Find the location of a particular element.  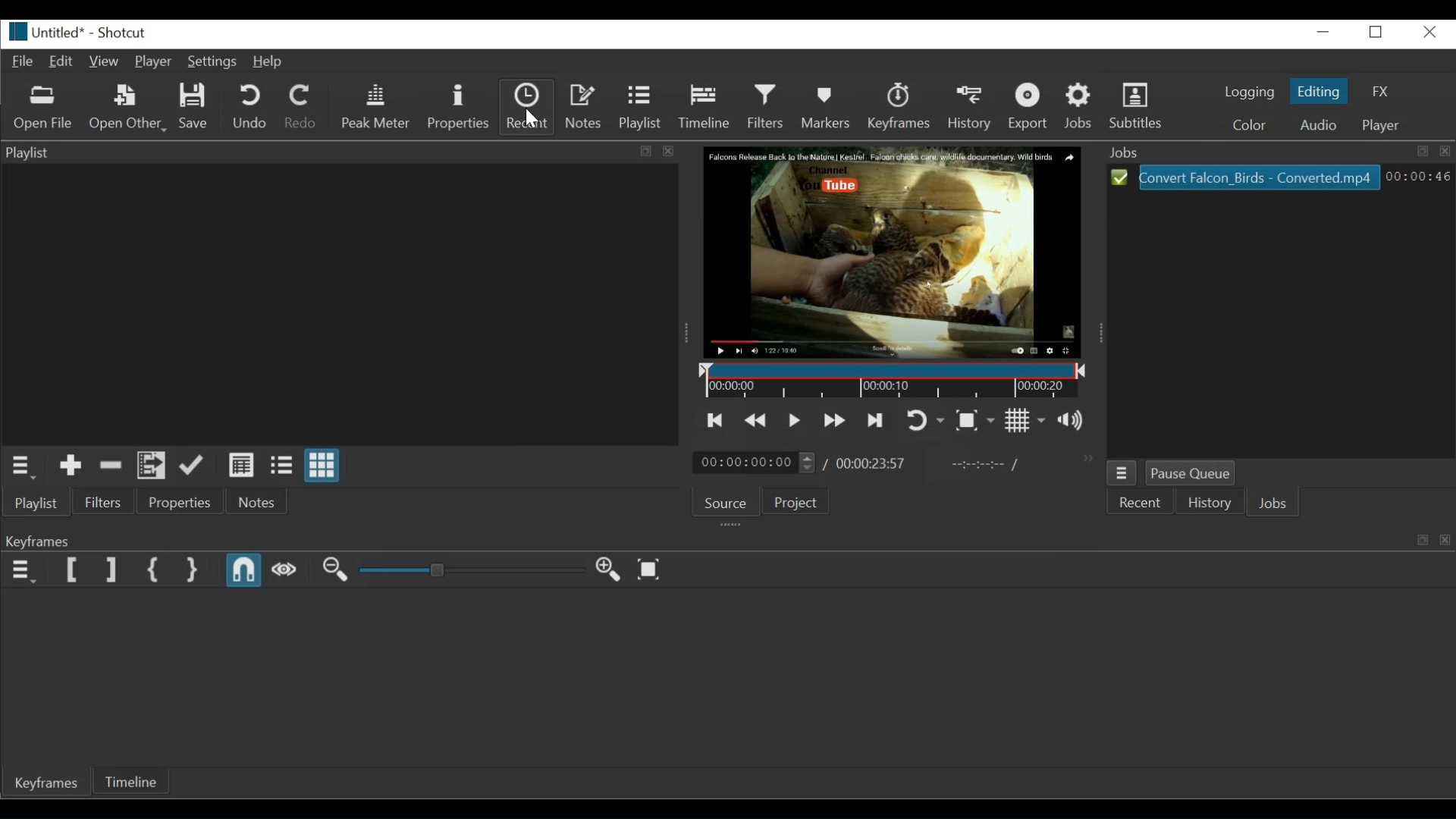

Toggle grid display on the player is located at coordinates (1025, 421).